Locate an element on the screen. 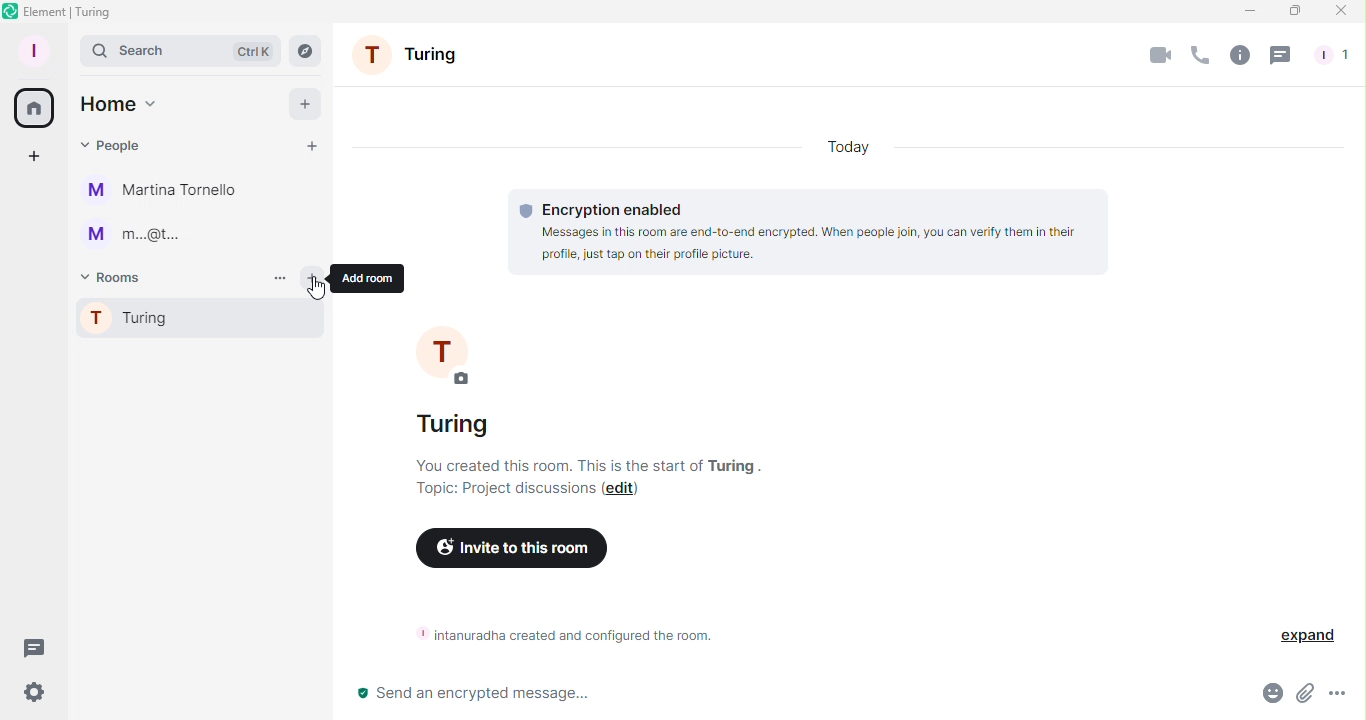 The image size is (1366, 720). Threads is located at coordinates (1281, 55).